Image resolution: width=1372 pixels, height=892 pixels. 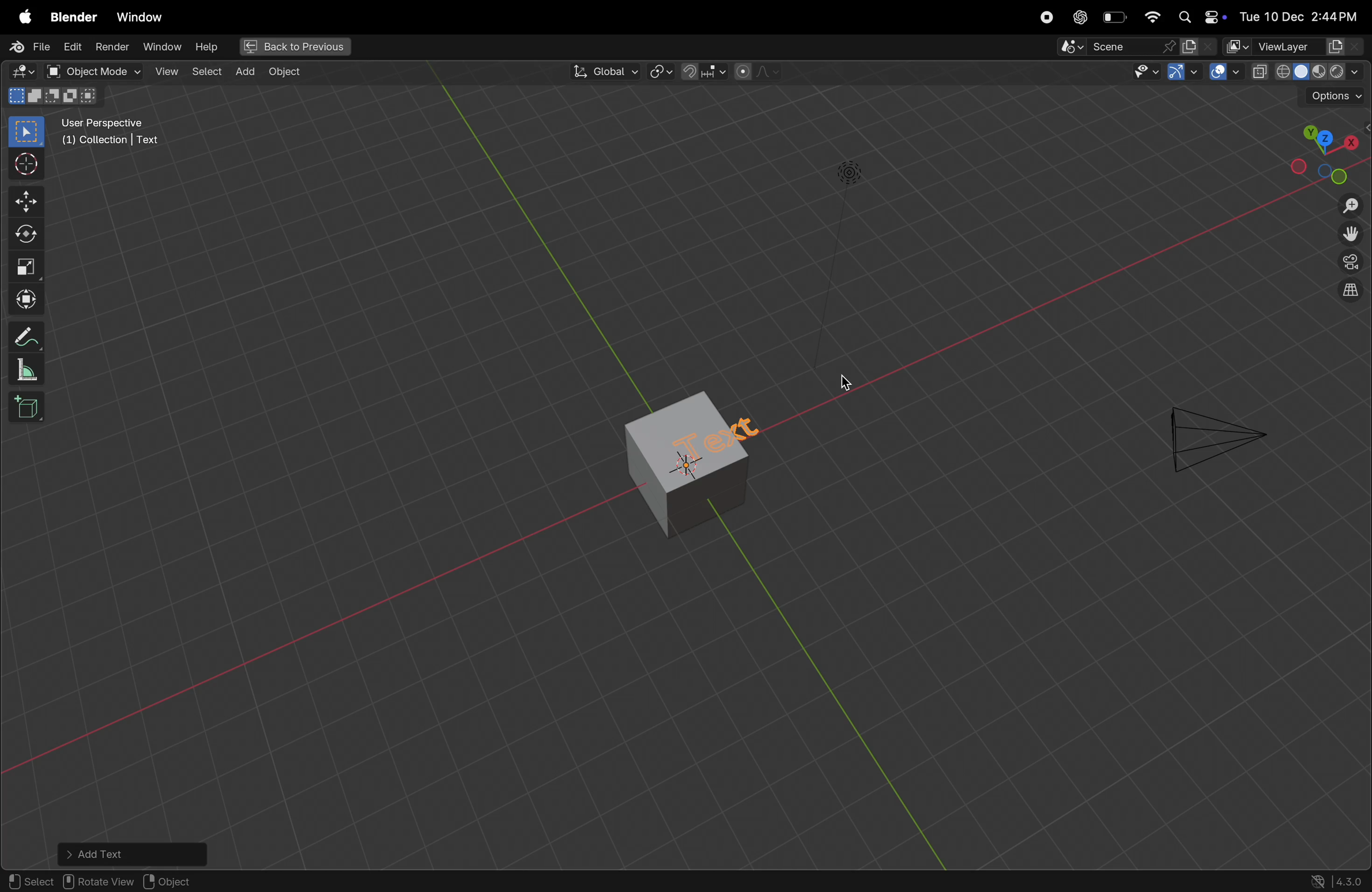 I want to click on edit, so click(x=74, y=48).